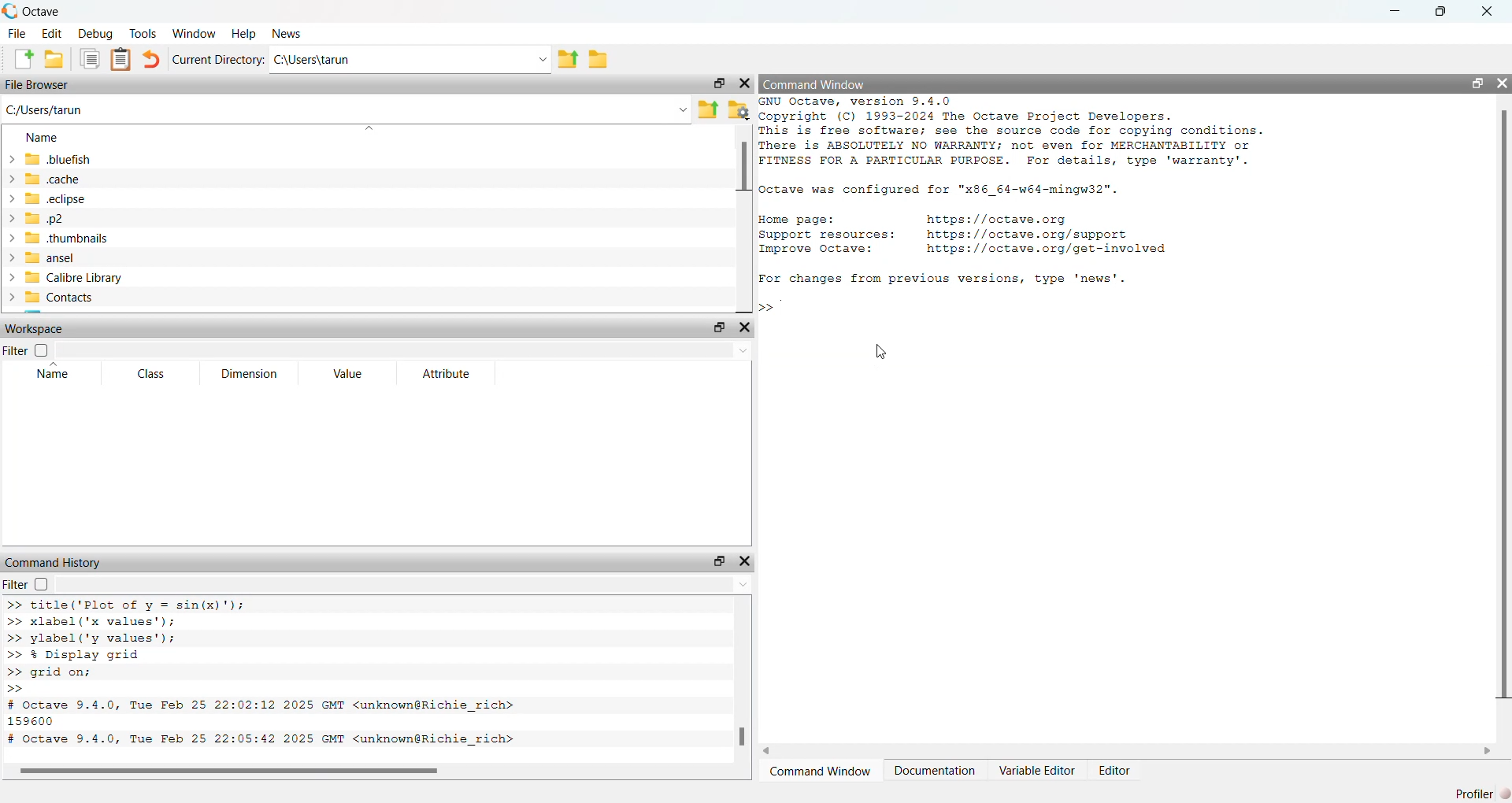 The image size is (1512, 803). Describe the element at coordinates (9, 11) in the screenshot. I see `logo` at that location.